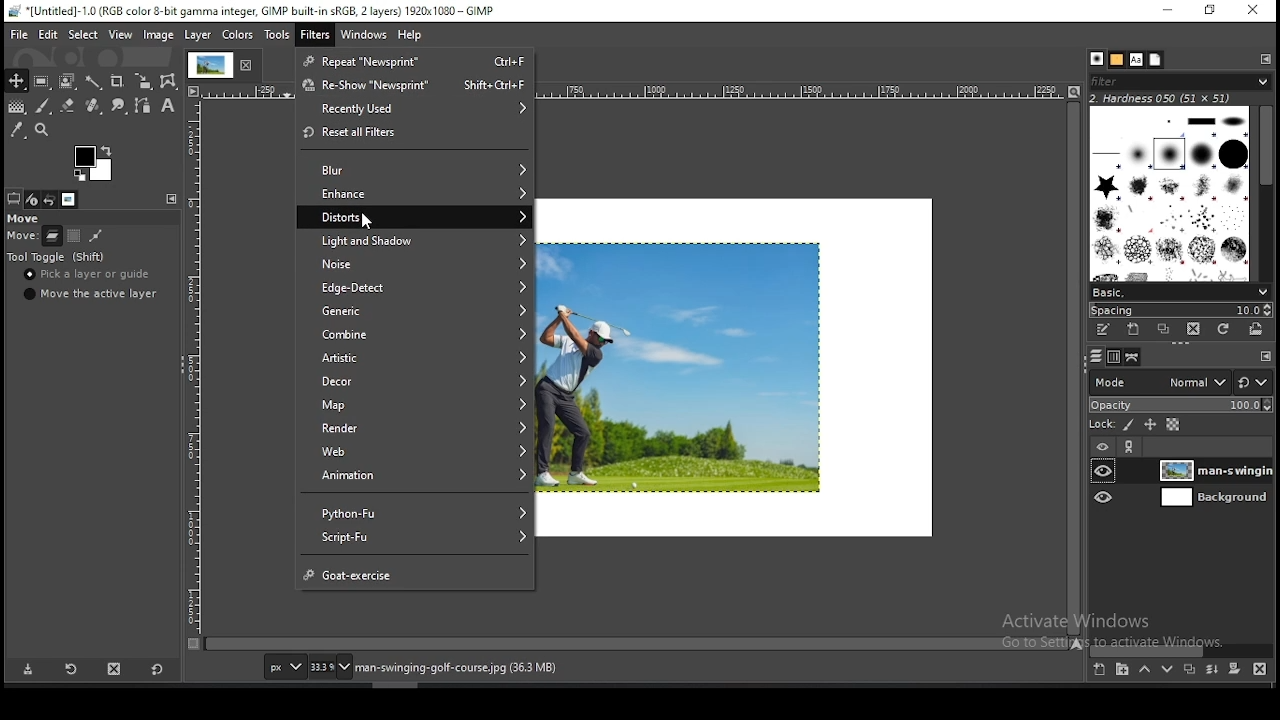 Image resolution: width=1280 pixels, height=720 pixels. What do you see at coordinates (93, 106) in the screenshot?
I see `healing tool` at bounding box center [93, 106].